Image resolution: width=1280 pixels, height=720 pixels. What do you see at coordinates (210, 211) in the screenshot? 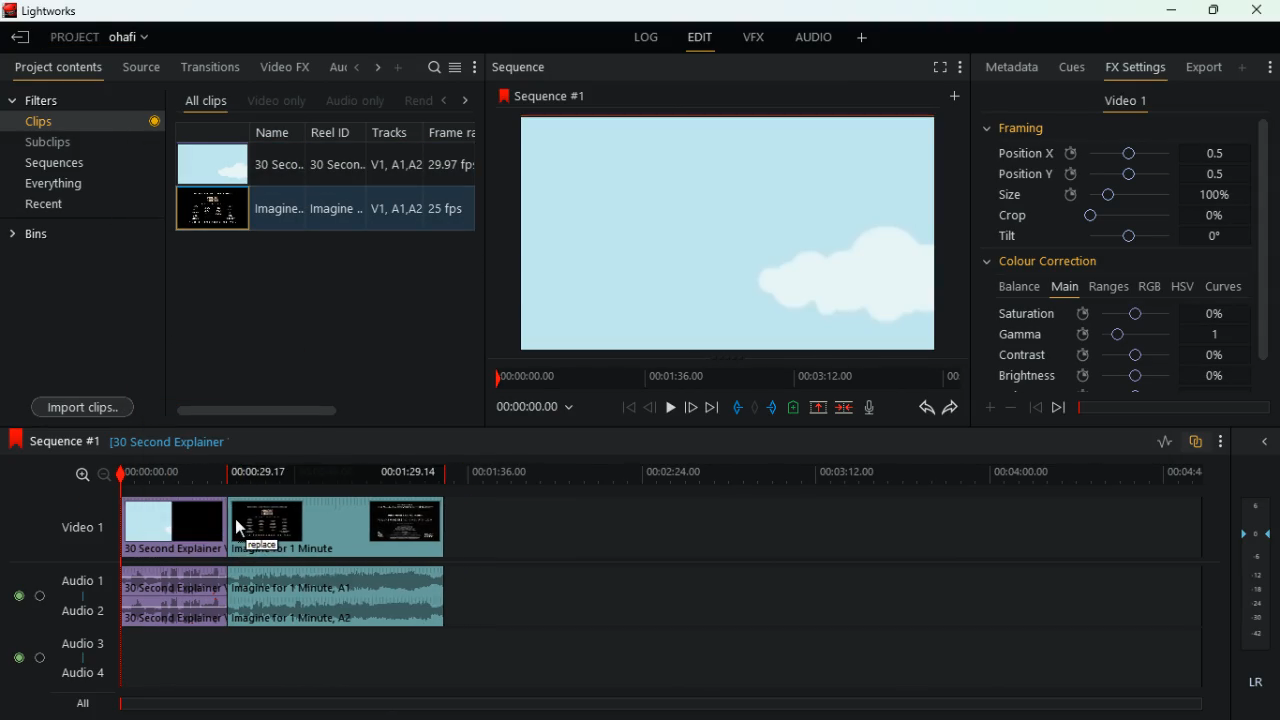
I see `video` at bounding box center [210, 211].